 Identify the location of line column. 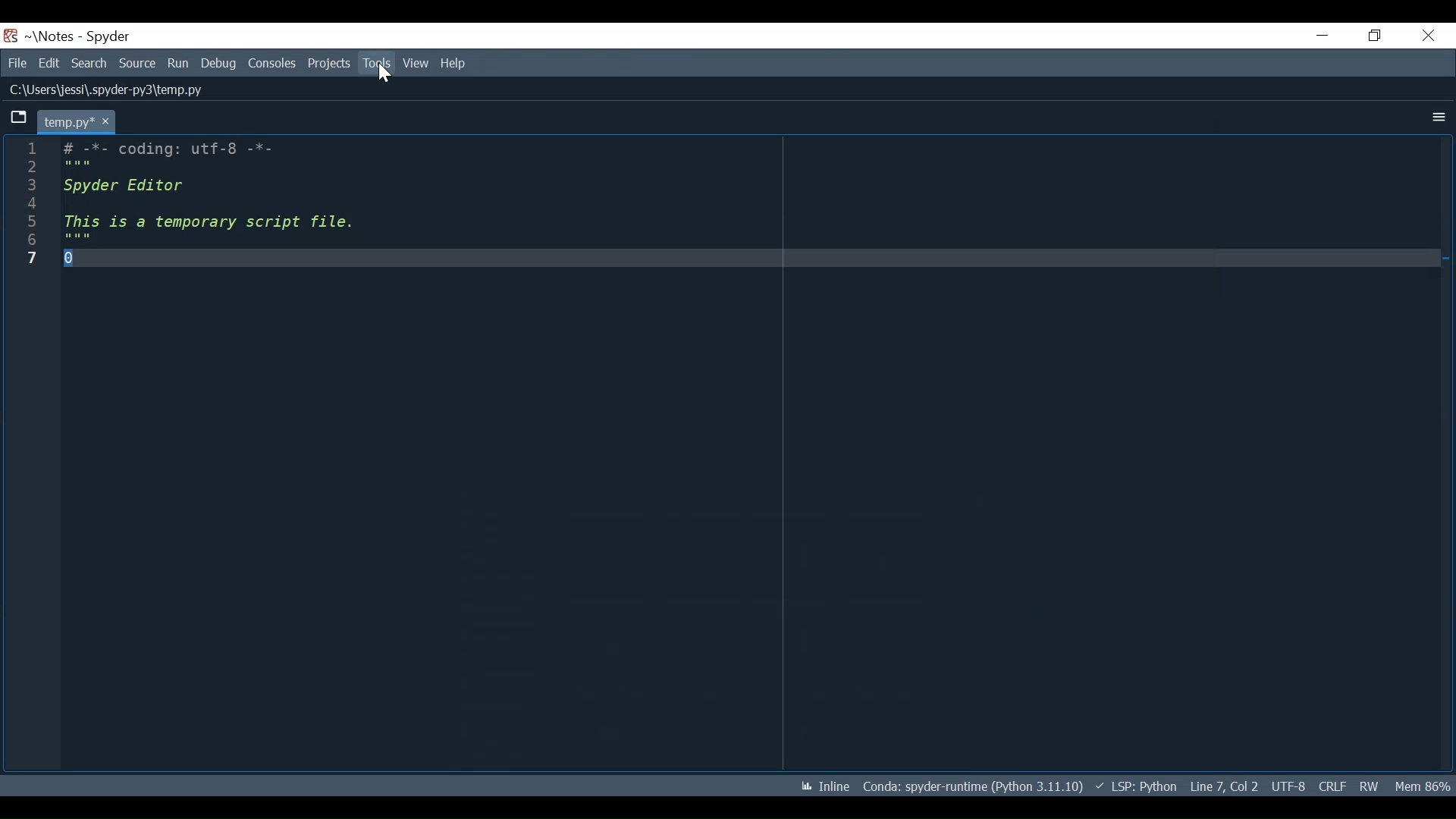
(34, 455).